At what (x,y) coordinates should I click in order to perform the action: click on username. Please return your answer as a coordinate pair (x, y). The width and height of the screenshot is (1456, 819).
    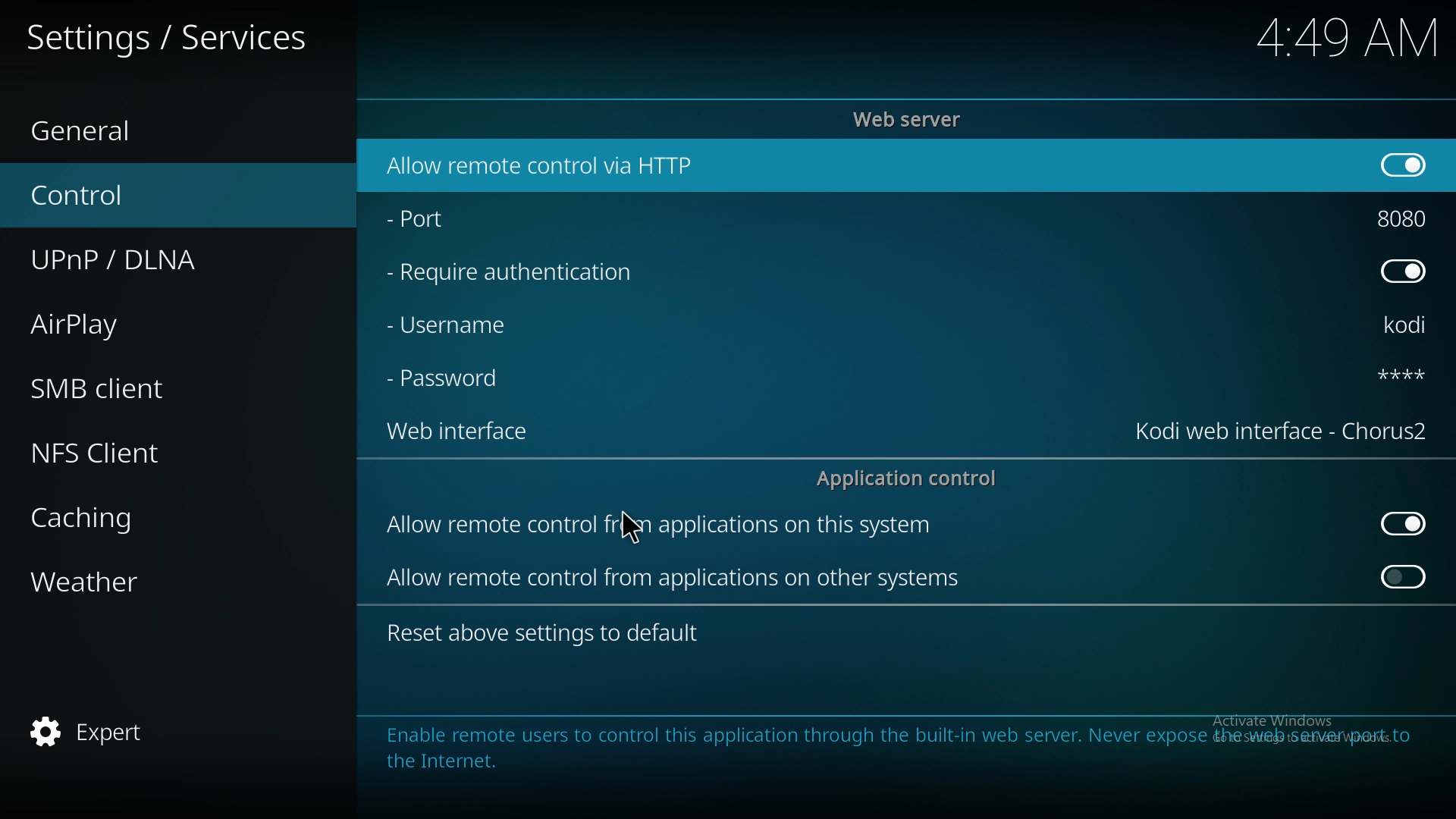
    Looking at the image, I should click on (457, 329).